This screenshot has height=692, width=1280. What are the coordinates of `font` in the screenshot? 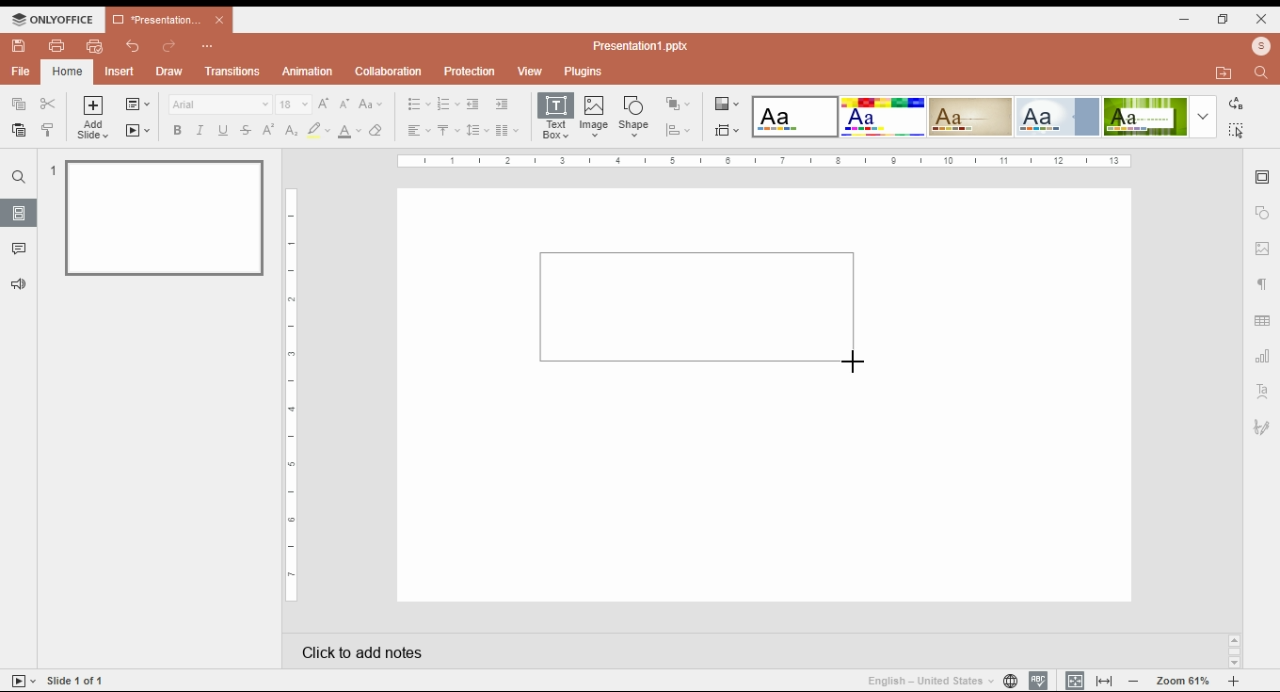 It's located at (220, 104).